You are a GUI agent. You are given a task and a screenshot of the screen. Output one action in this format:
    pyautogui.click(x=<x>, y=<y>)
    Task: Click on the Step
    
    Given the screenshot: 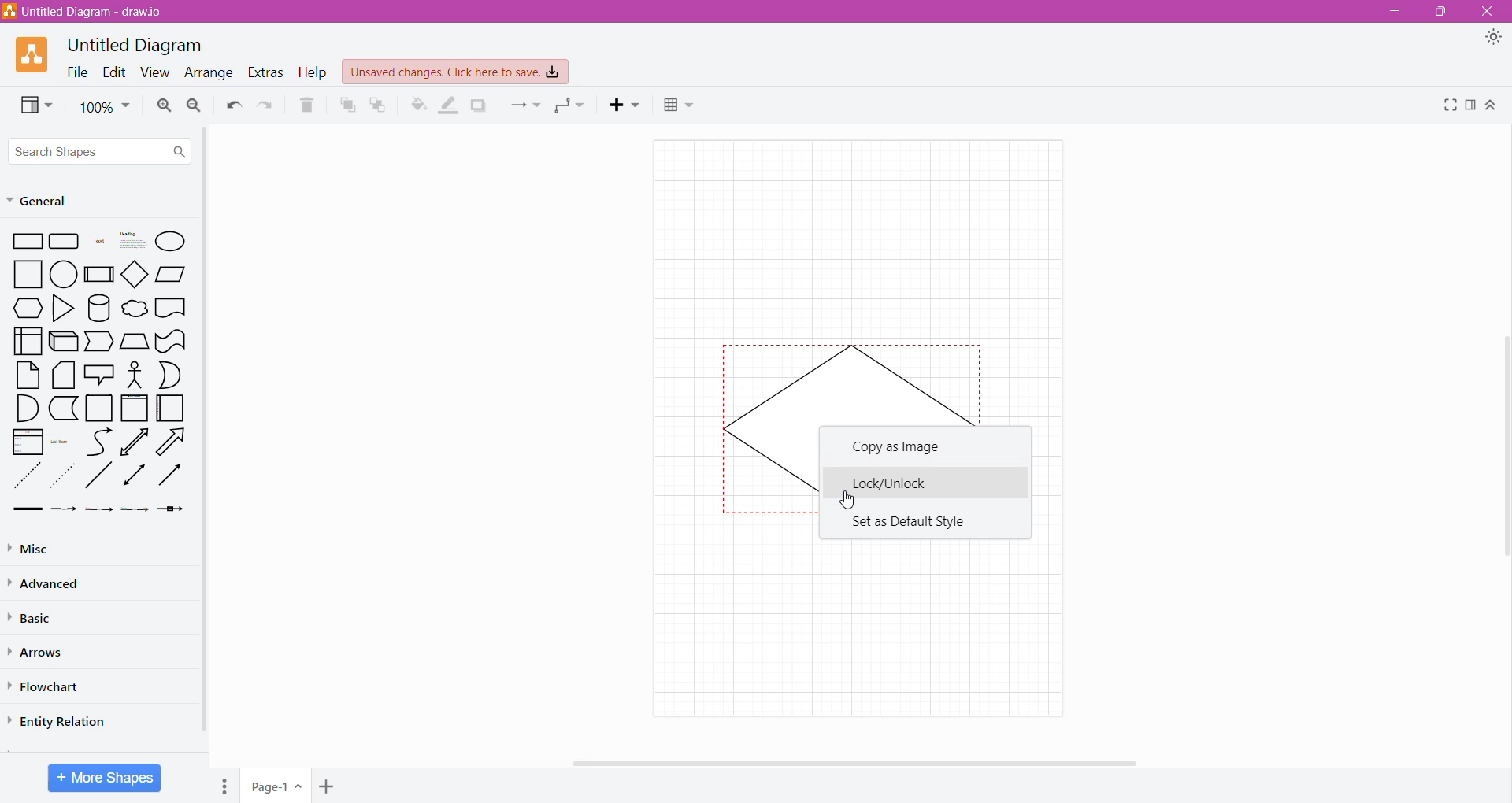 What is the action you would take?
    pyautogui.click(x=98, y=342)
    